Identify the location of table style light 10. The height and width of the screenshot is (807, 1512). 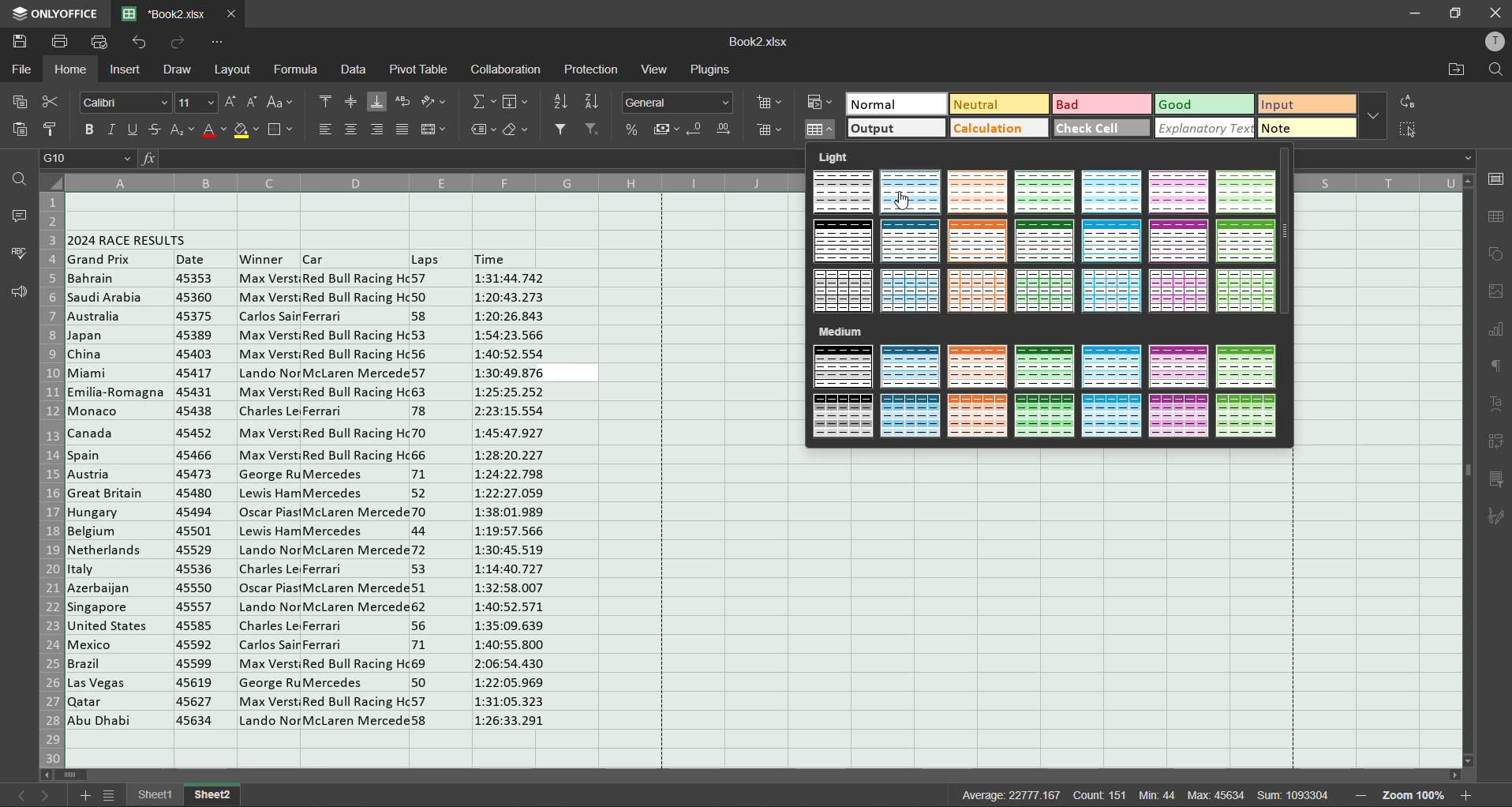
(979, 242).